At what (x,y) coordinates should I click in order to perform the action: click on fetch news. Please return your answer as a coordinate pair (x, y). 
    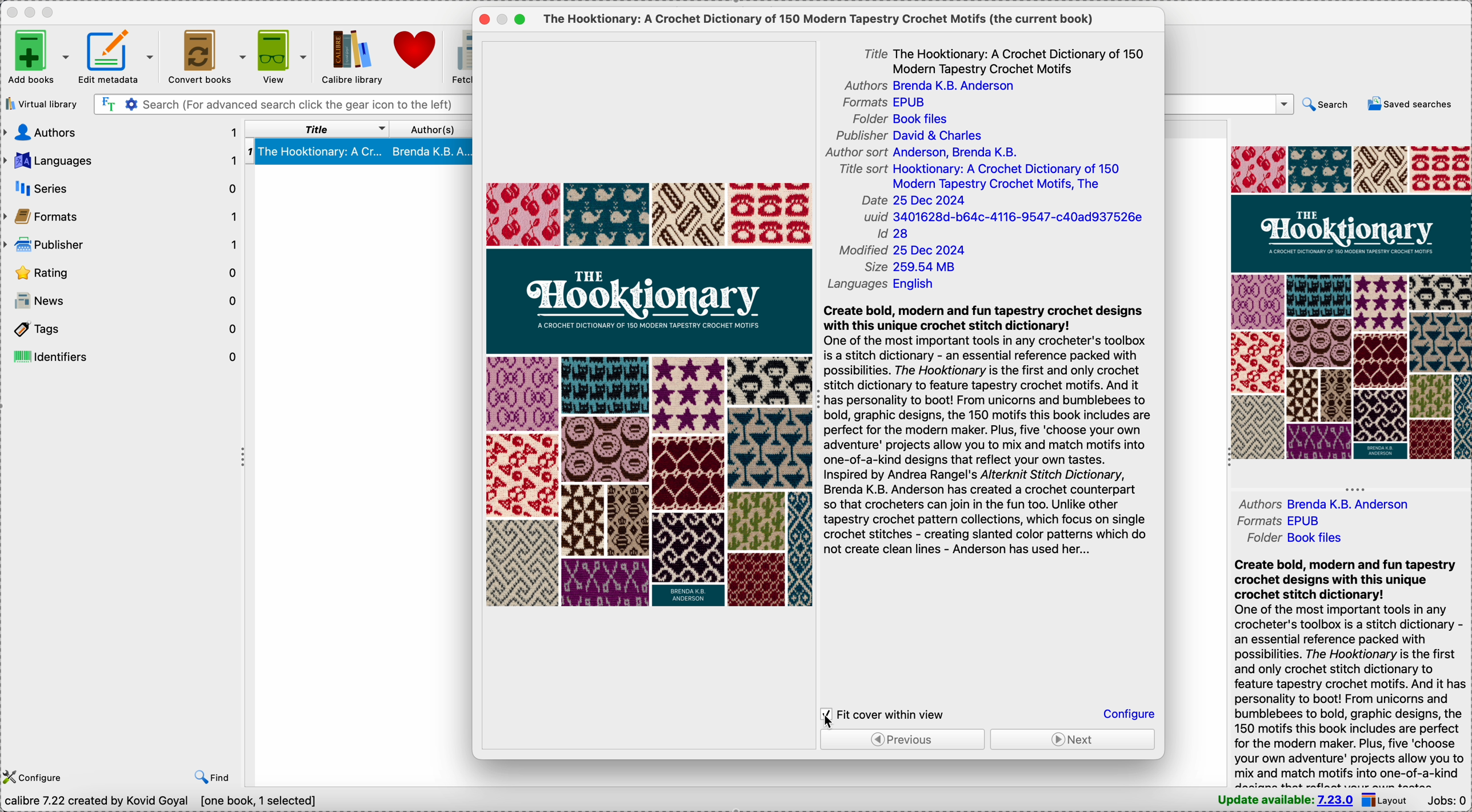
    Looking at the image, I should click on (458, 56).